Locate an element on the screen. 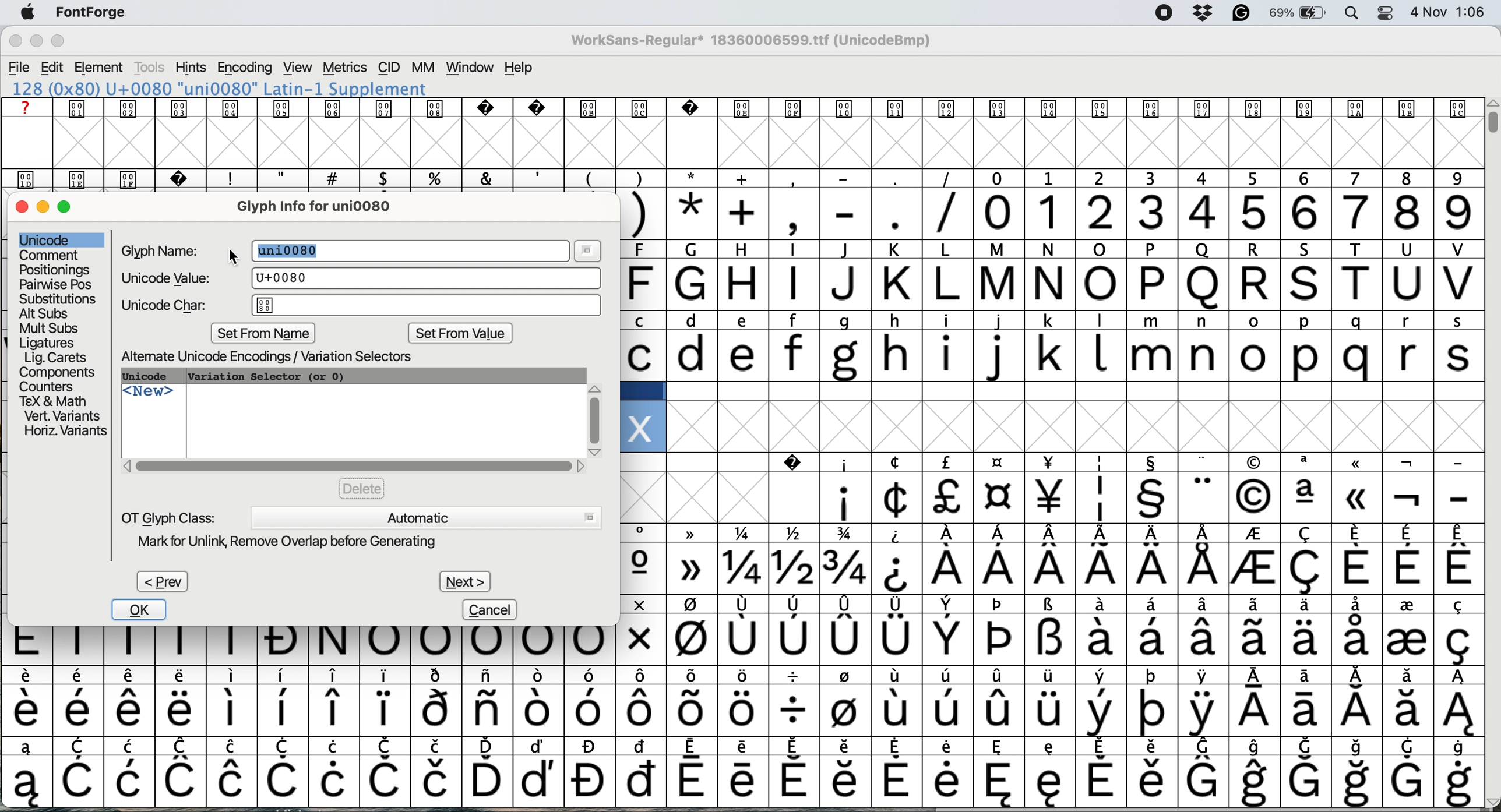 The image size is (1501, 812). lower case and upper case text and special characters is located at coordinates (1052, 321).